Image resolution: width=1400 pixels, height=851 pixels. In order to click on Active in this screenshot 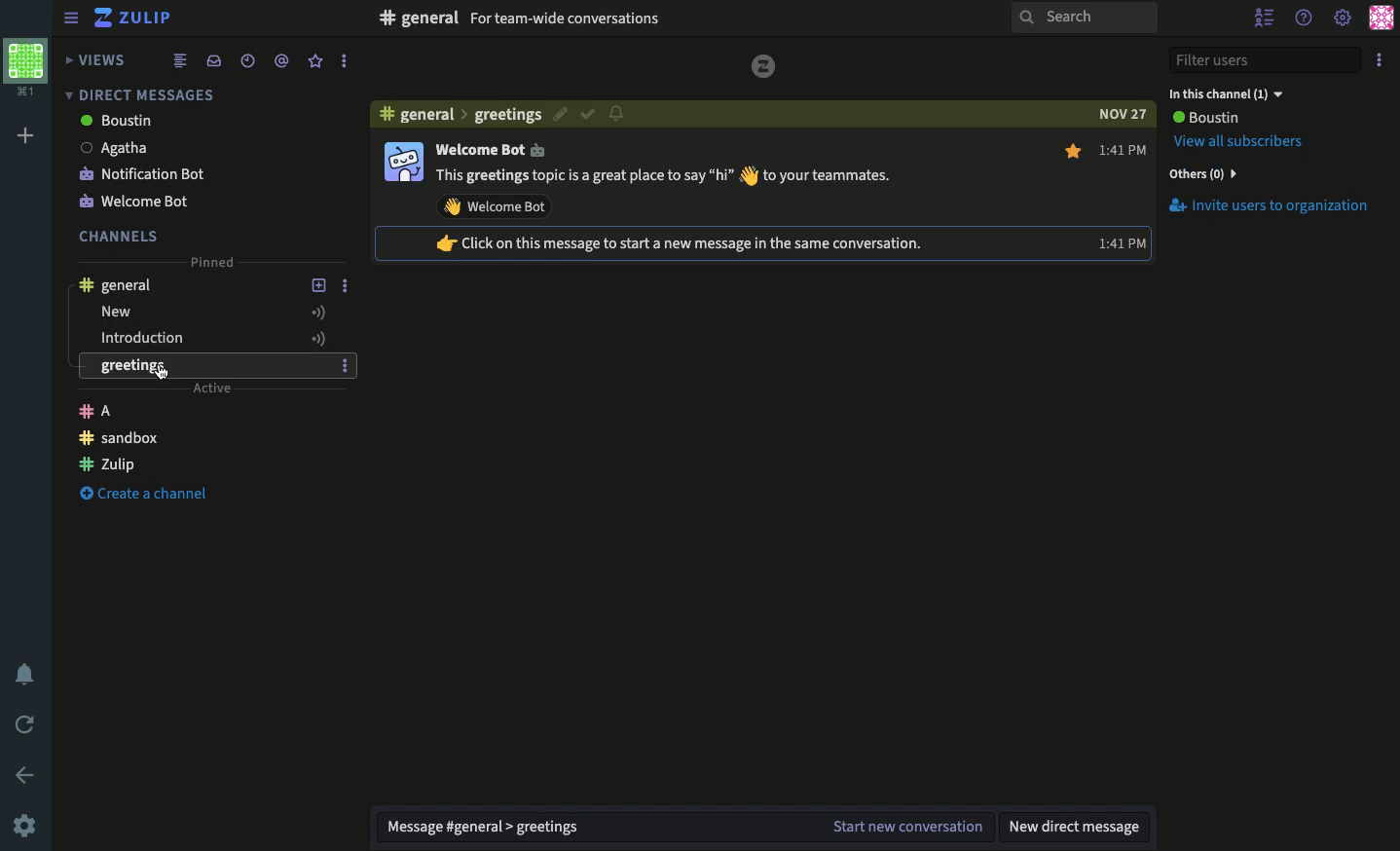, I will do `click(319, 312)`.